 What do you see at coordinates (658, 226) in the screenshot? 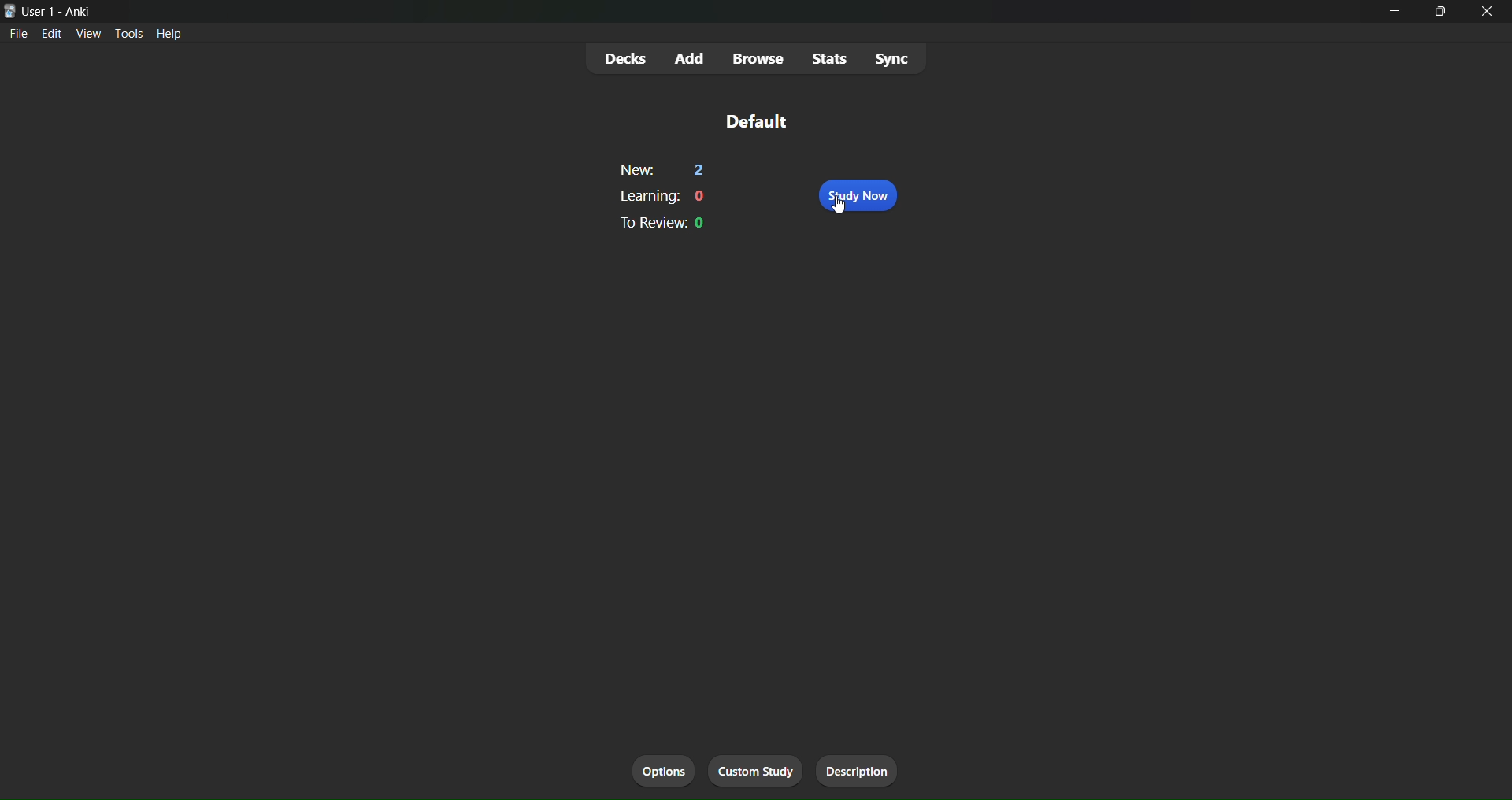
I see `to review: 0` at bounding box center [658, 226].